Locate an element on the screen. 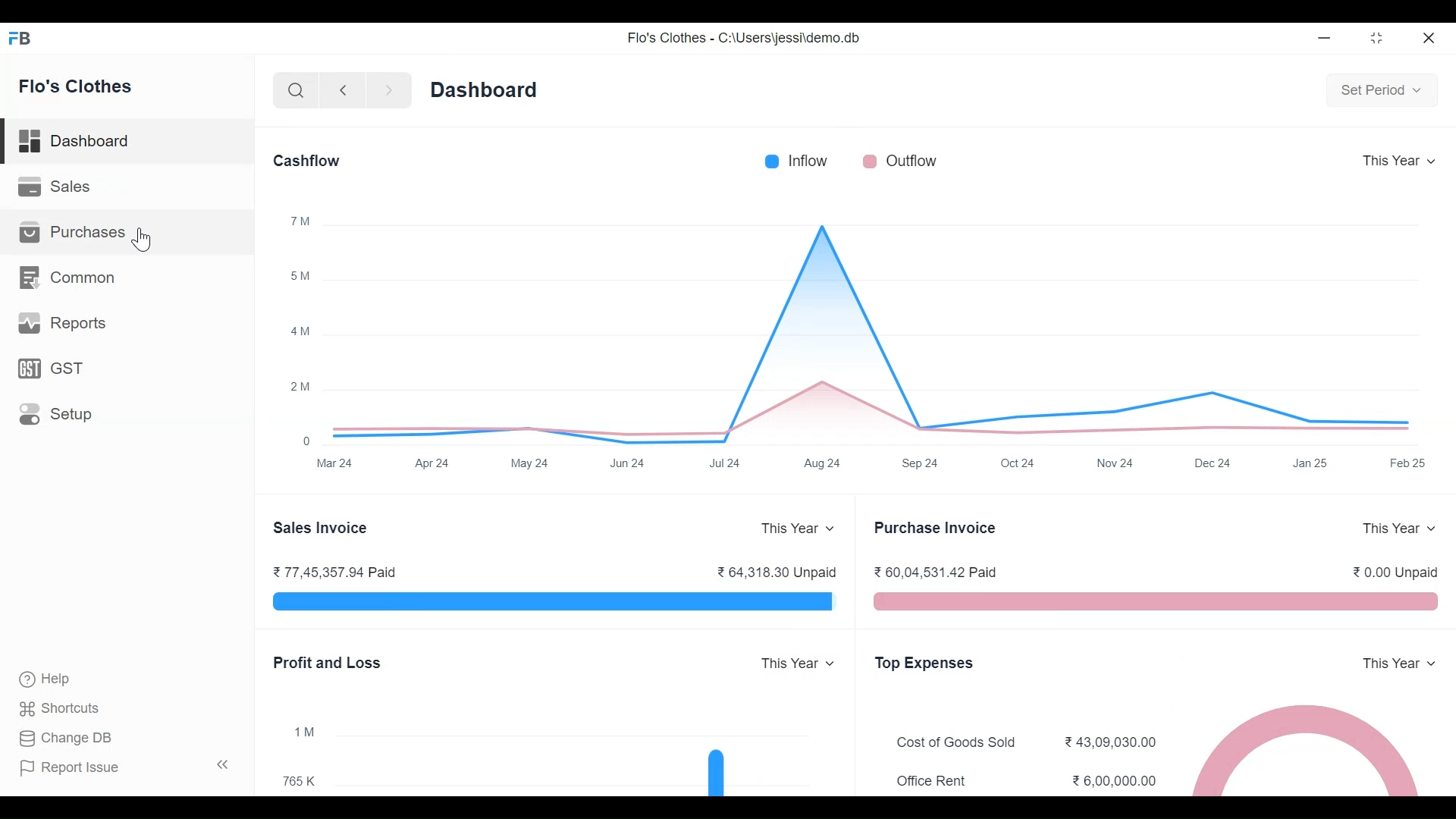 The height and width of the screenshot is (819, 1456). Flo's Clothes is located at coordinates (78, 86).